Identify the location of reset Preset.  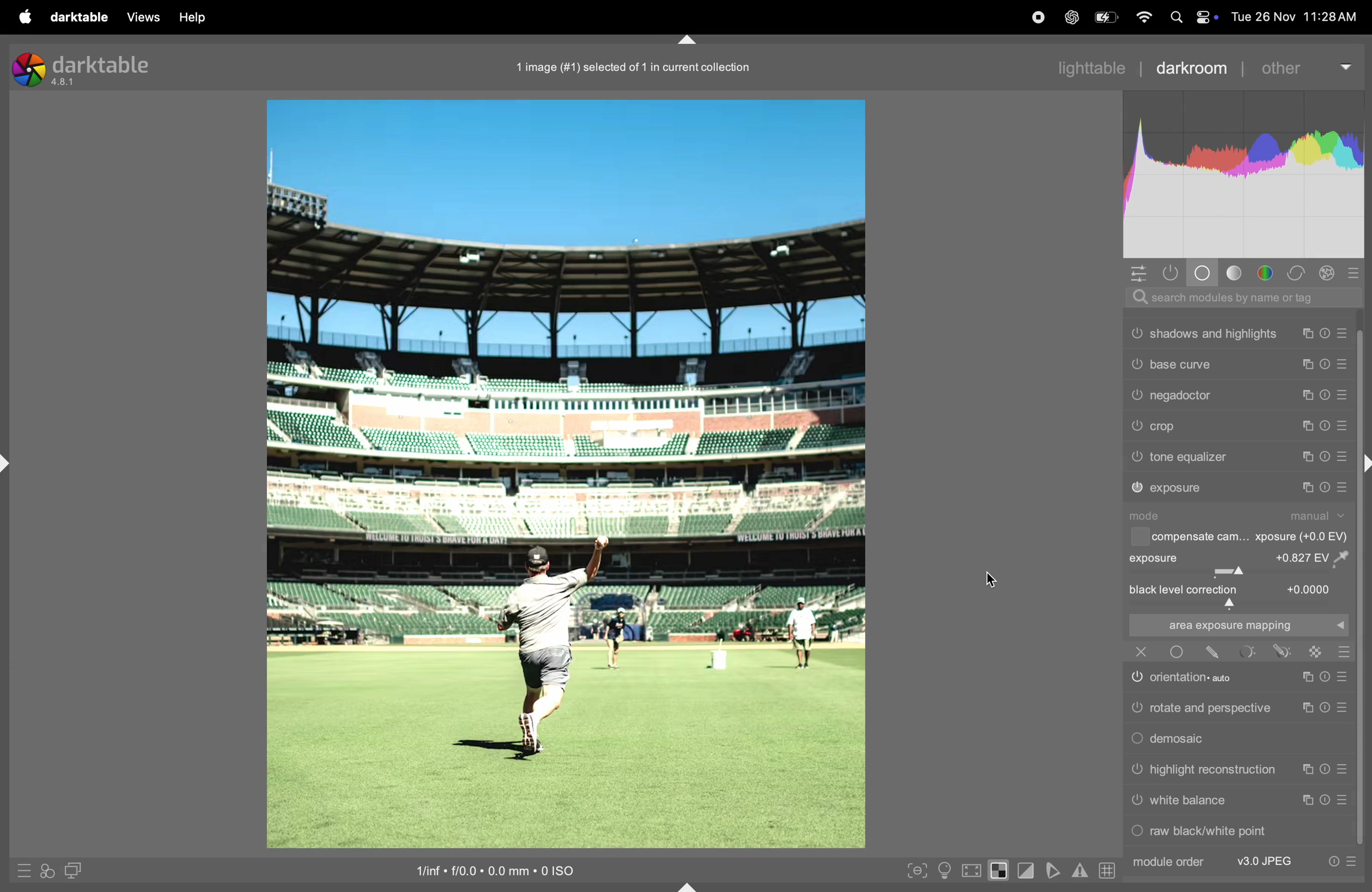
(1326, 800).